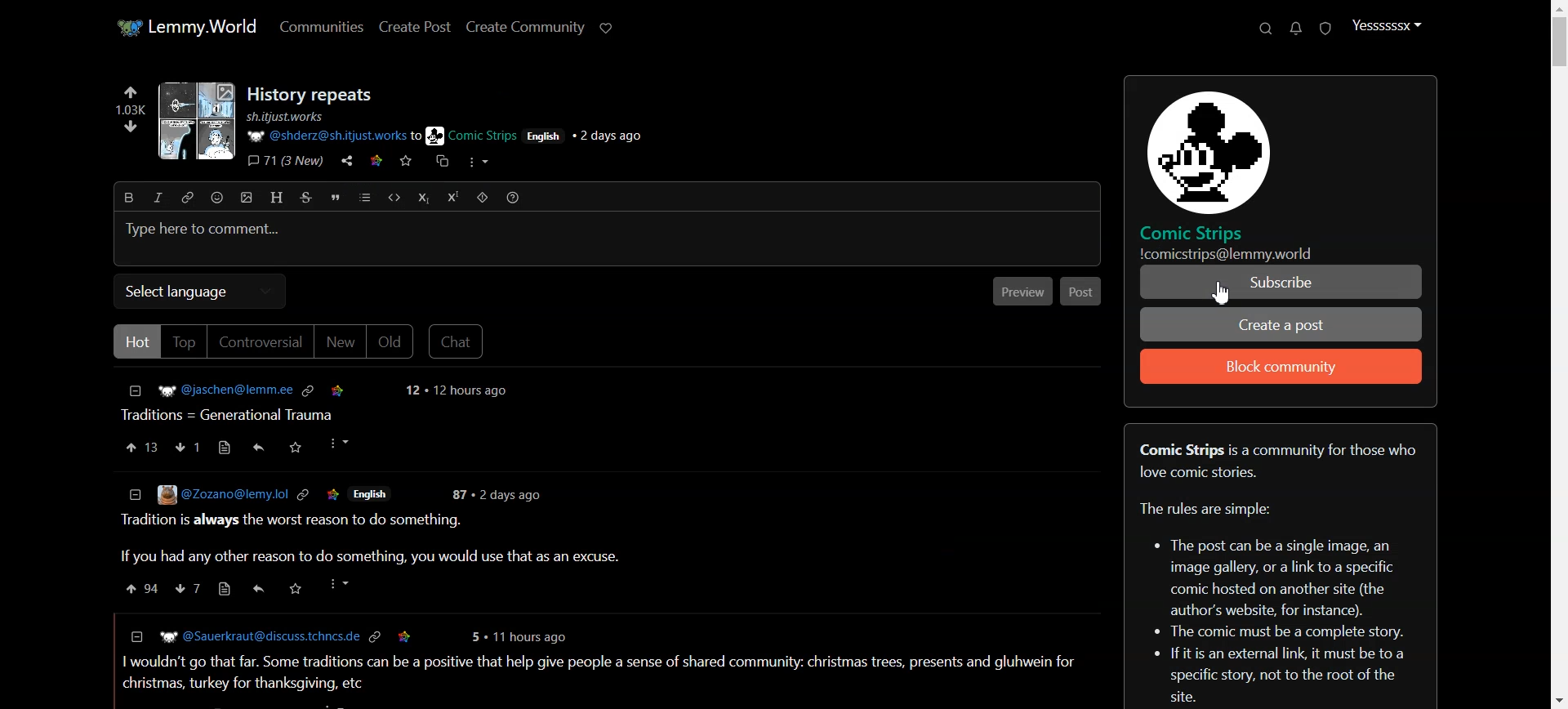  What do you see at coordinates (127, 120) in the screenshot?
I see `Up vote` at bounding box center [127, 120].